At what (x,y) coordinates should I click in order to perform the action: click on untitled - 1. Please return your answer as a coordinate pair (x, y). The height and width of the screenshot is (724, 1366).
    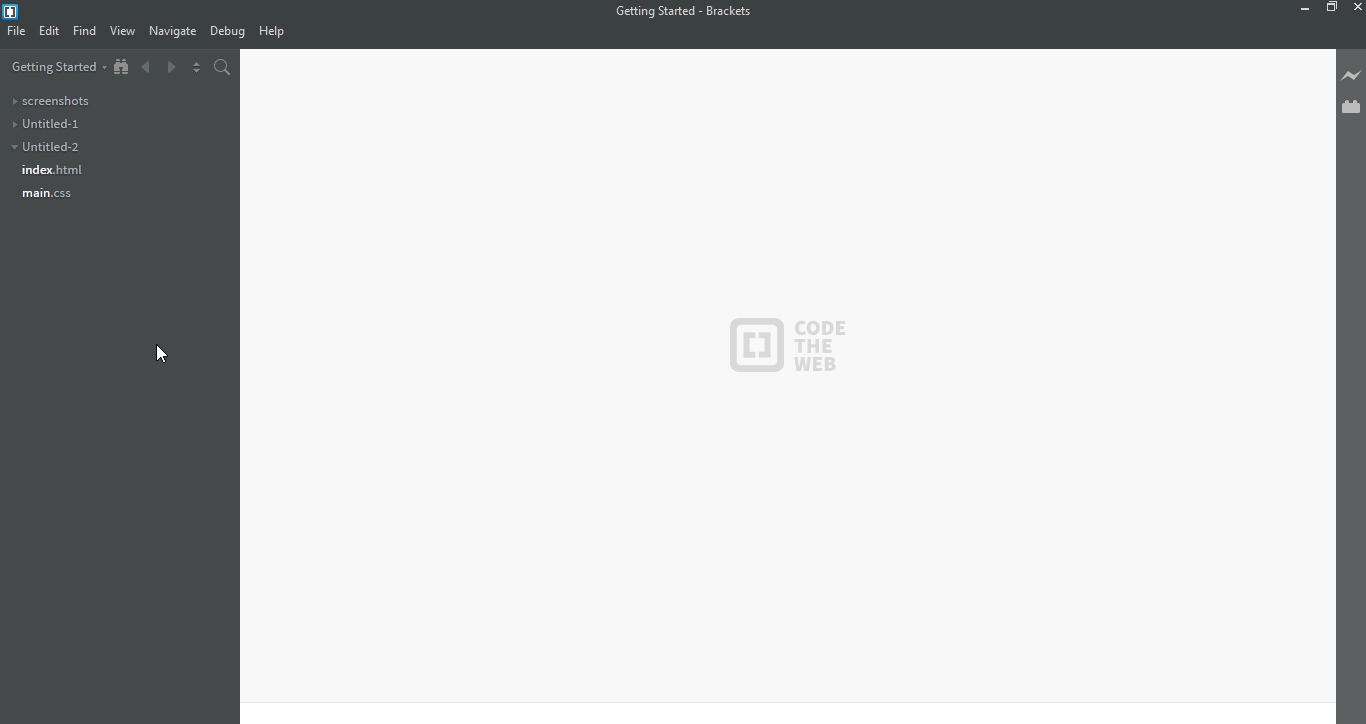
    Looking at the image, I should click on (63, 123).